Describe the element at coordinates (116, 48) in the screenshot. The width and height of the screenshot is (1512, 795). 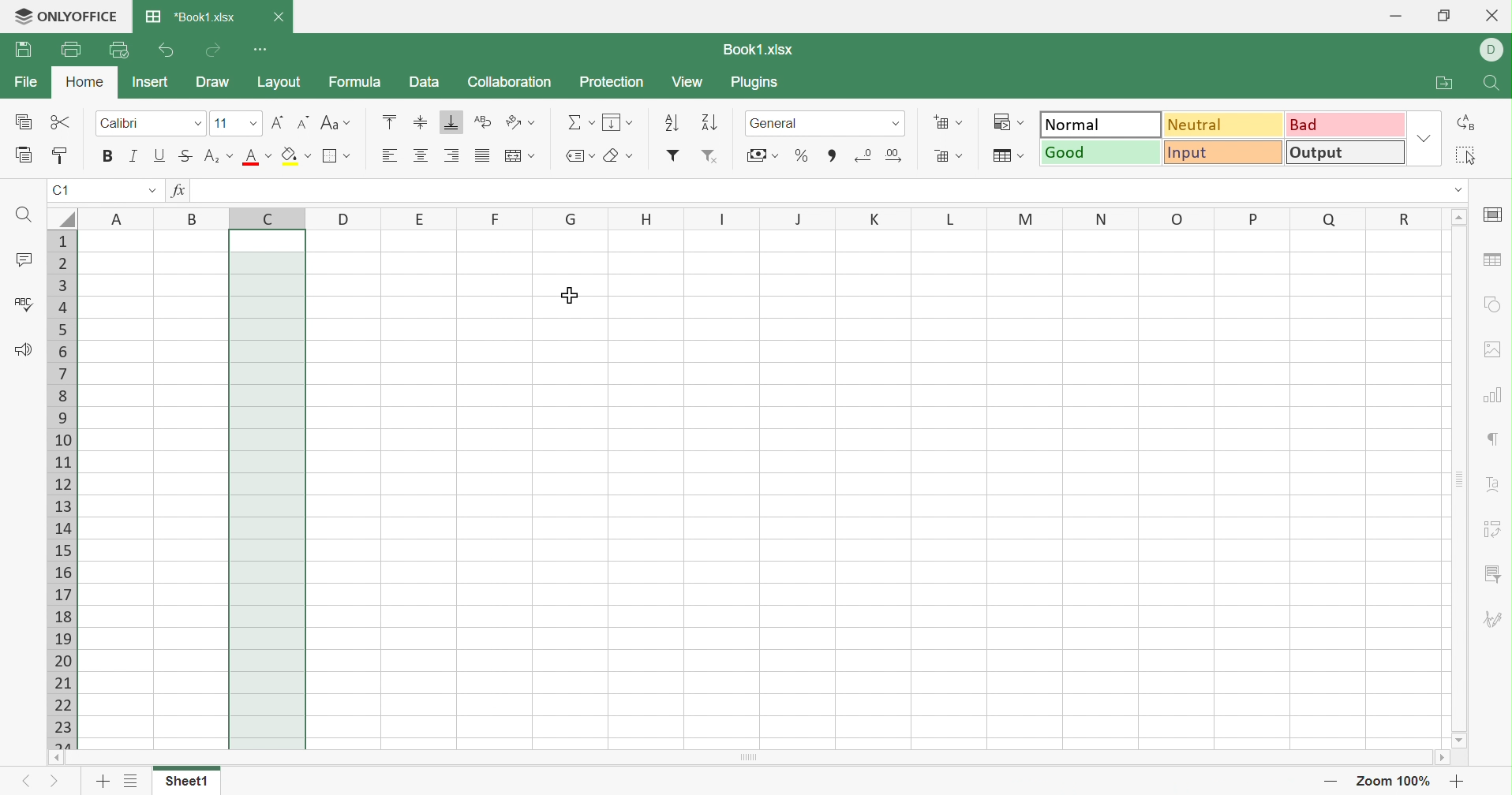
I see `Quick Print` at that location.